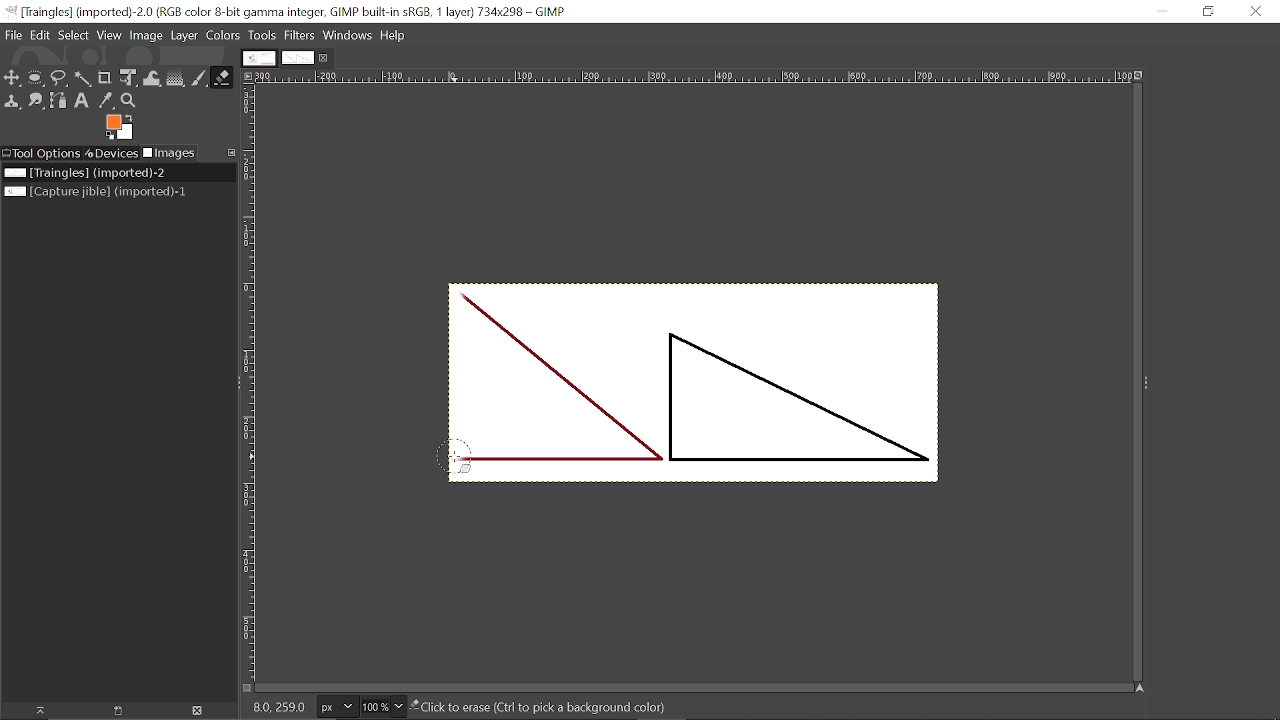 This screenshot has width=1280, height=720. What do you see at coordinates (261, 36) in the screenshot?
I see `` at bounding box center [261, 36].